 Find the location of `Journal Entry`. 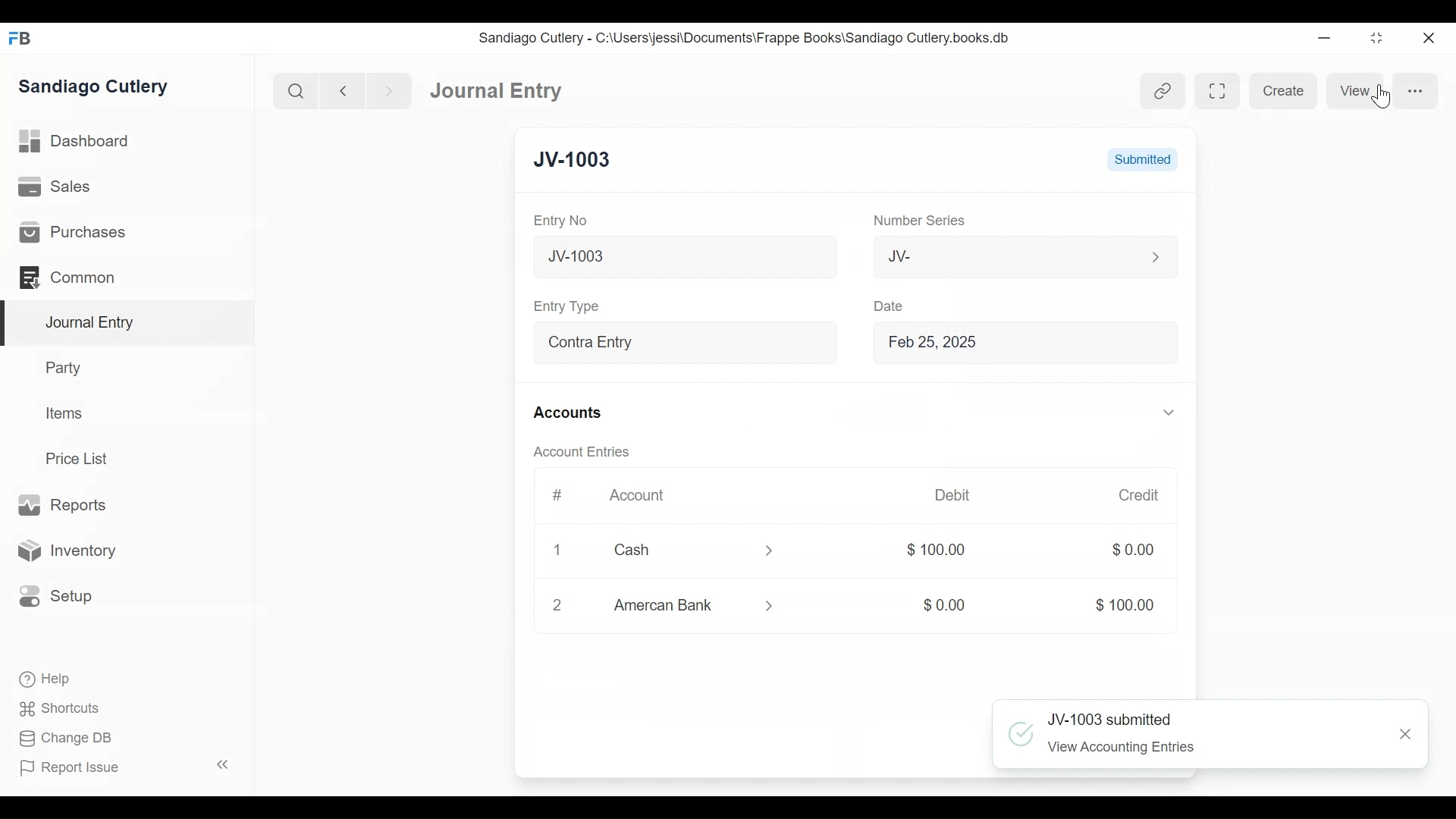

Journal Entry is located at coordinates (128, 323).